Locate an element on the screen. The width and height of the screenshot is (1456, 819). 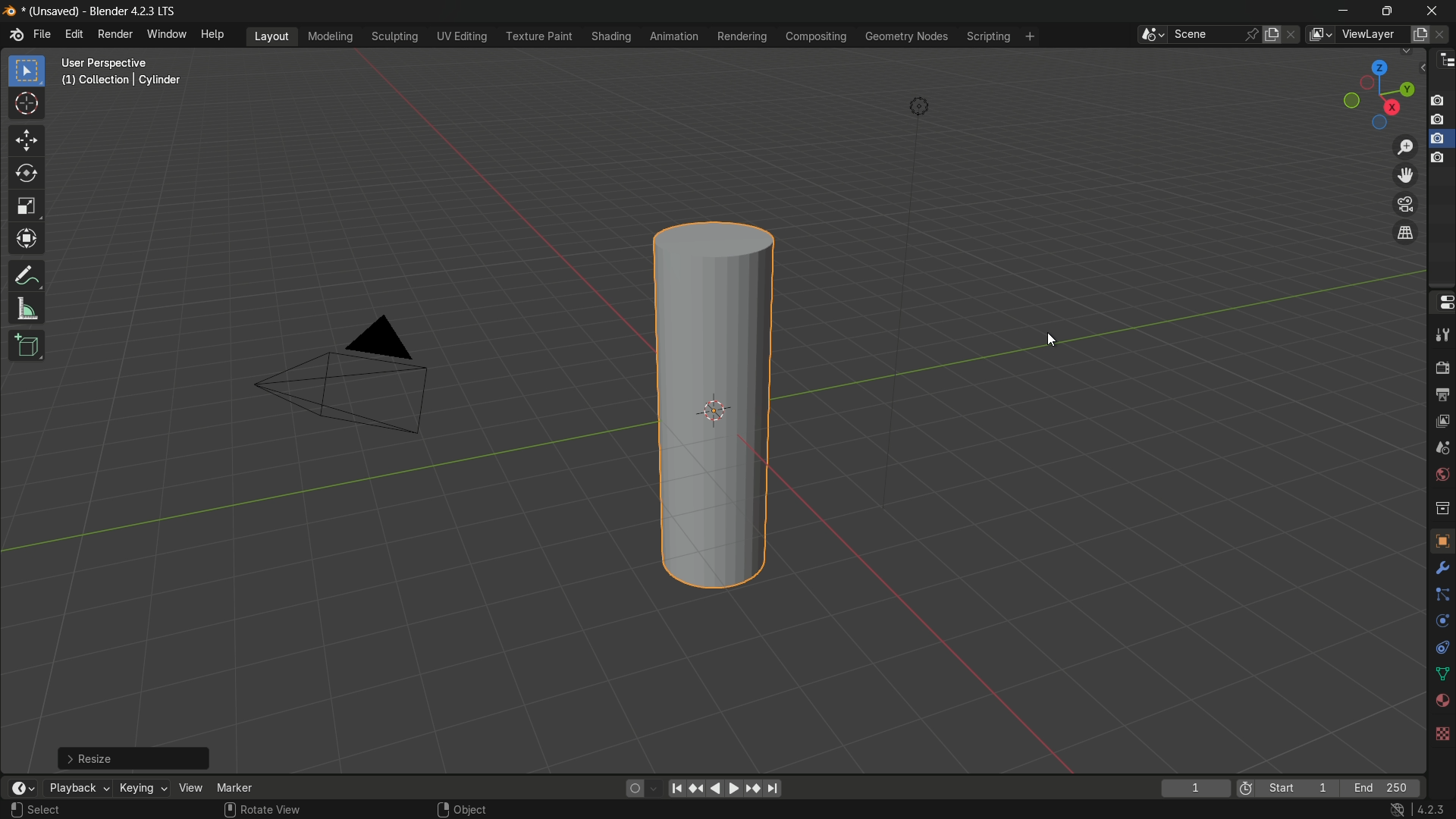
file menu is located at coordinates (42, 35).